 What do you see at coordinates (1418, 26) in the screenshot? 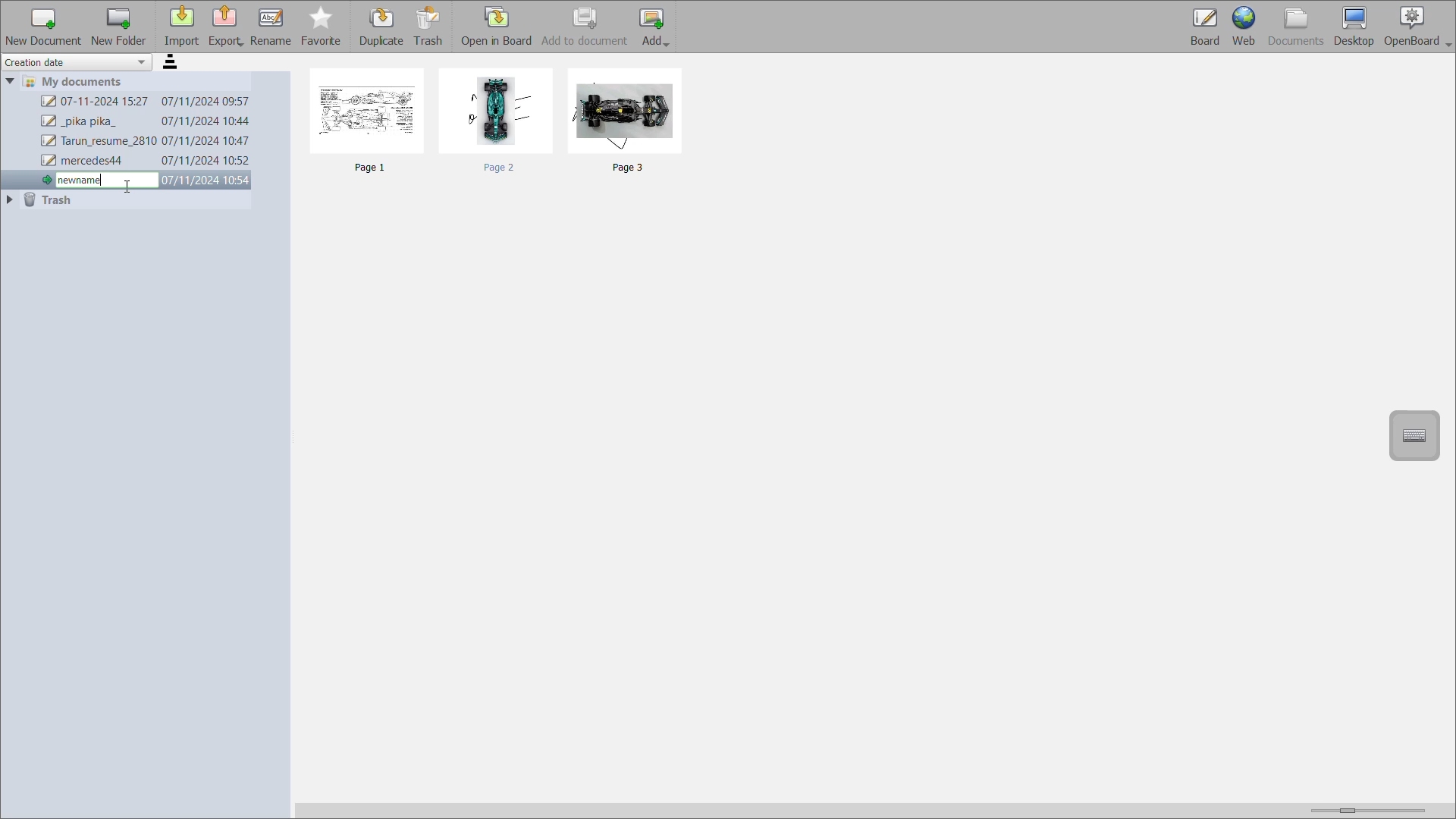
I see `openboard` at bounding box center [1418, 26].